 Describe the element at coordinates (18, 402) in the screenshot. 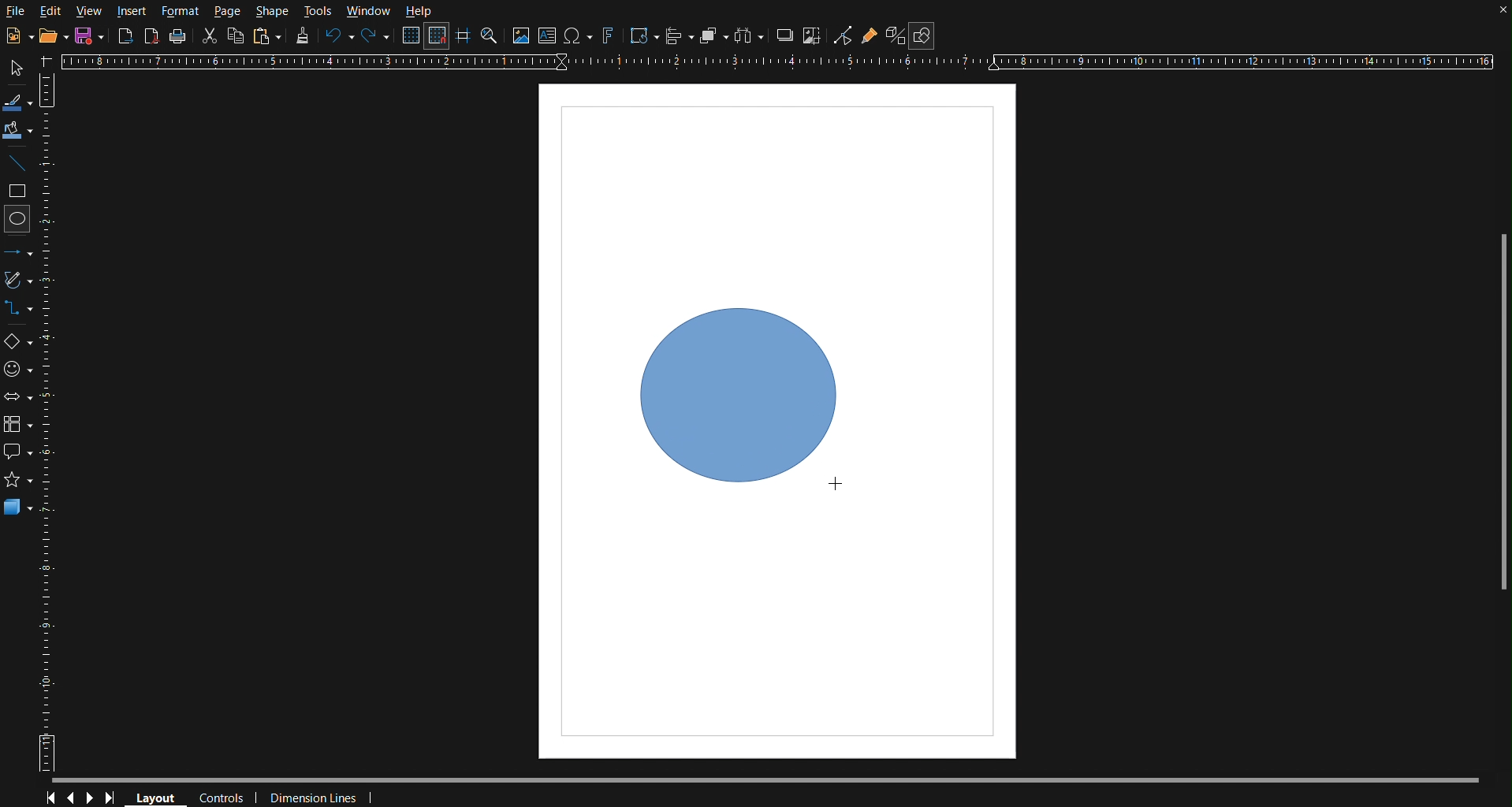

I see `Box Arrows` at that location.